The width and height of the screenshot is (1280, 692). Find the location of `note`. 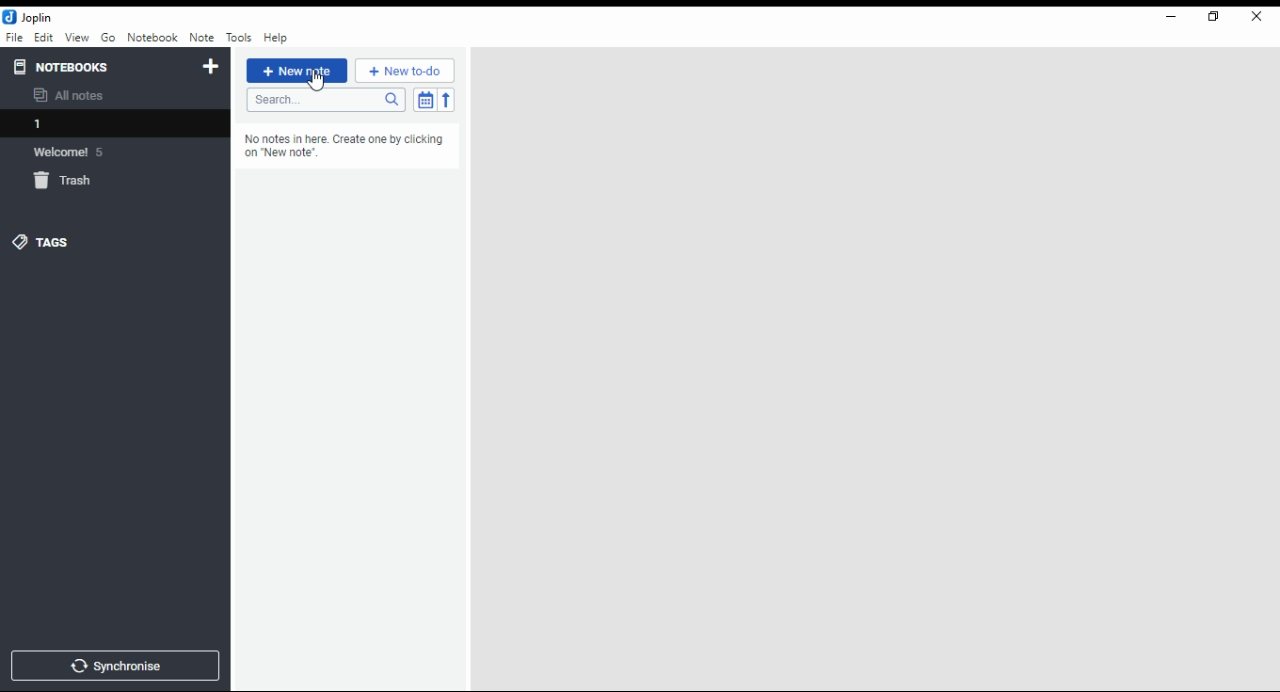

note is located at coordinates (200, 38).